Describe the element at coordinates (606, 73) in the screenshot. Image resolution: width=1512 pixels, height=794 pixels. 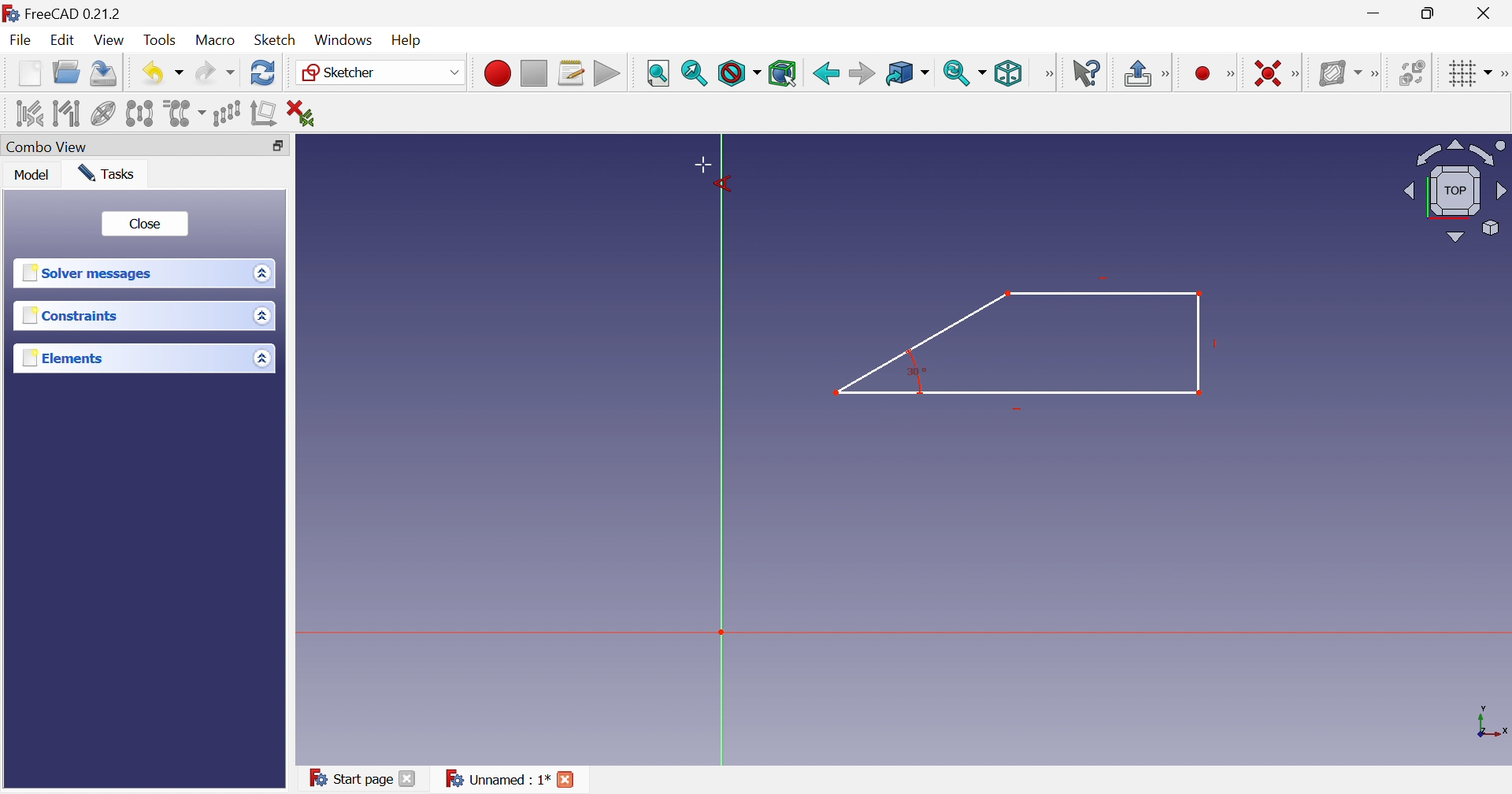
I see `Execute macro` at that location.